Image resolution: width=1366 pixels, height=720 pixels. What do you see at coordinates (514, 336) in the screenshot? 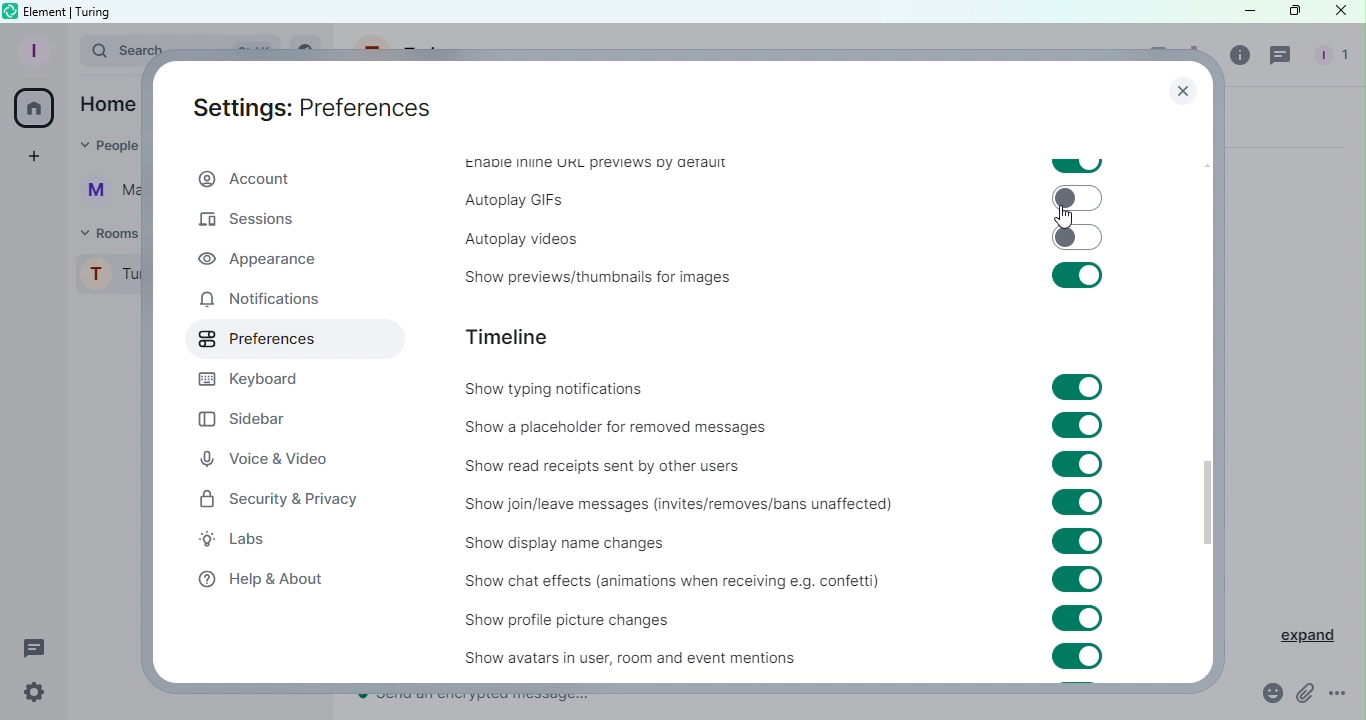
I see `Timeline` at bounding box center [514, 336].